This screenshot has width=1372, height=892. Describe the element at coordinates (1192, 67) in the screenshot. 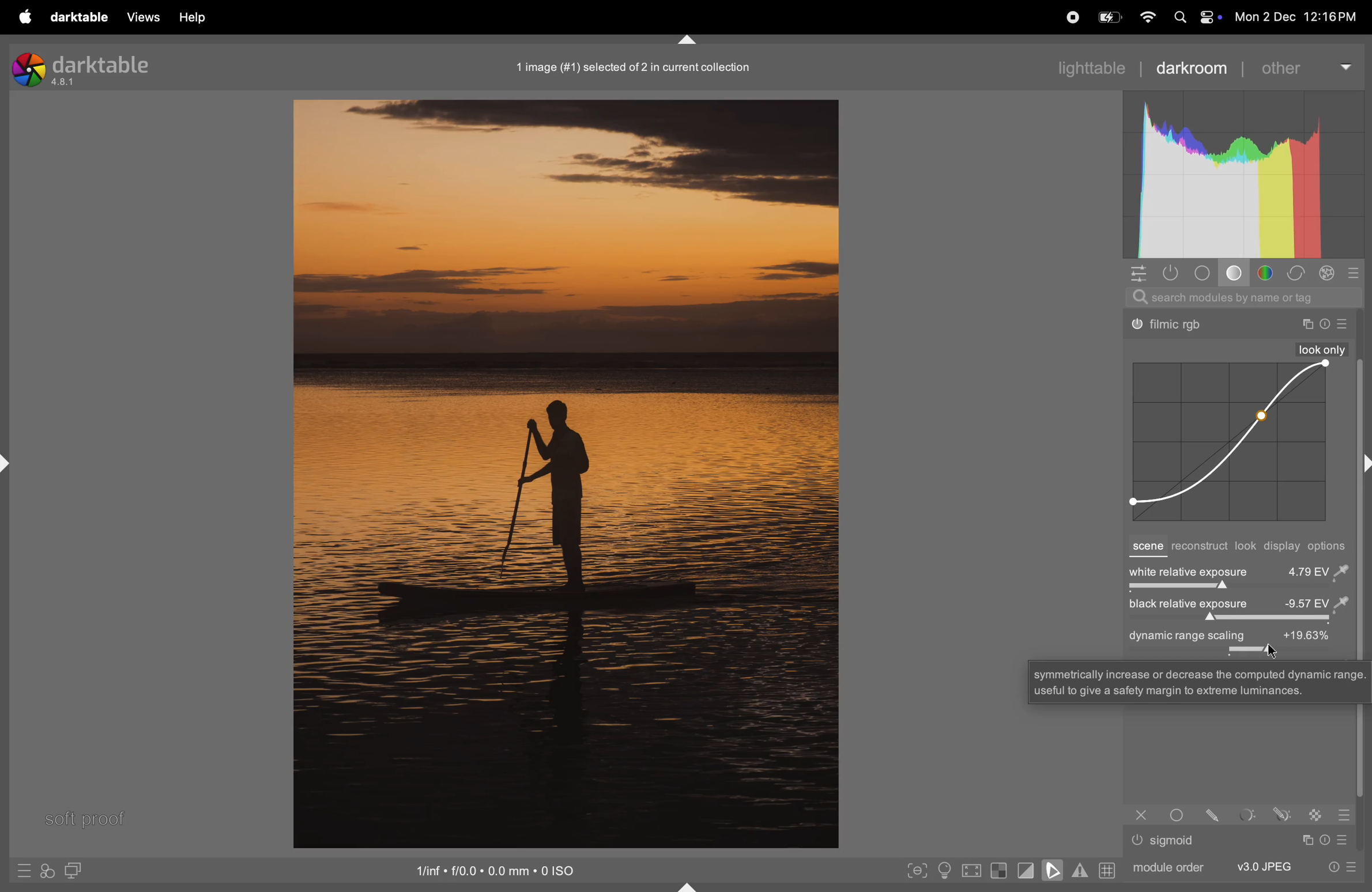

I see `darkroom` at that location.